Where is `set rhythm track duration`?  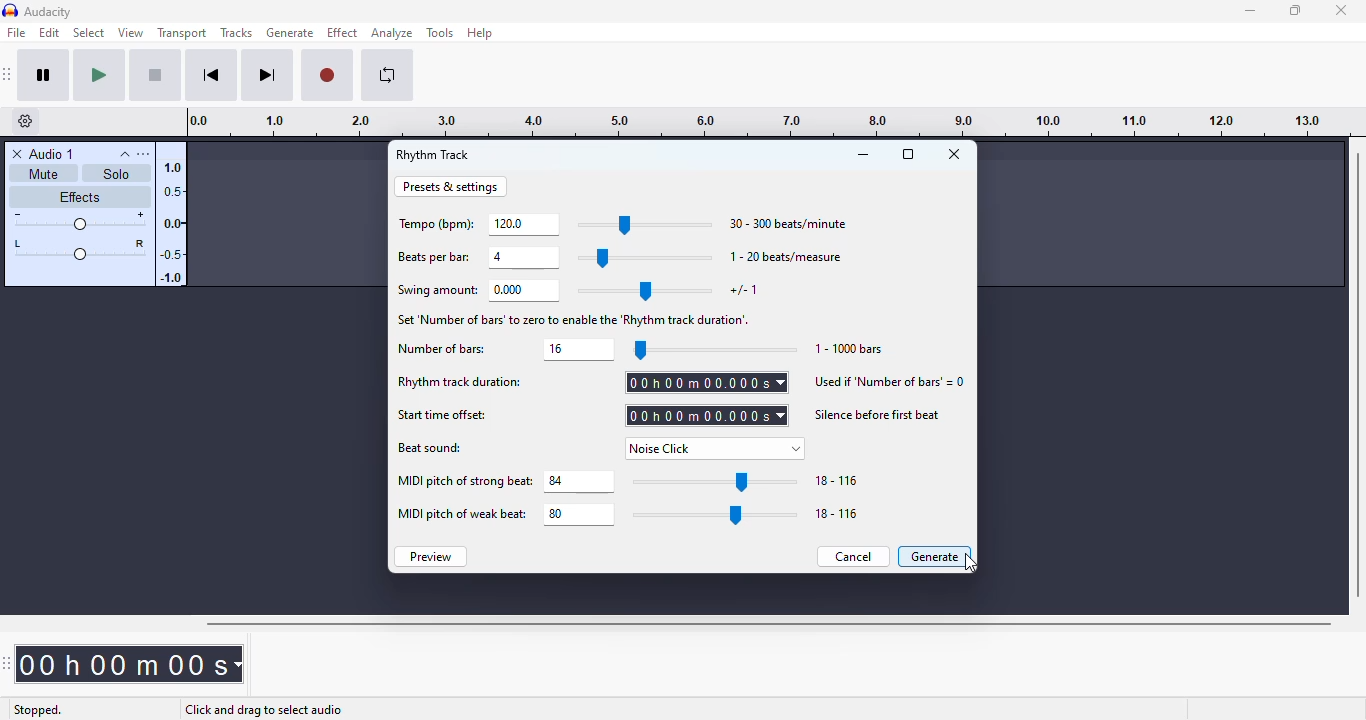
set rhythm track duration is located at coordinates (706, 382).